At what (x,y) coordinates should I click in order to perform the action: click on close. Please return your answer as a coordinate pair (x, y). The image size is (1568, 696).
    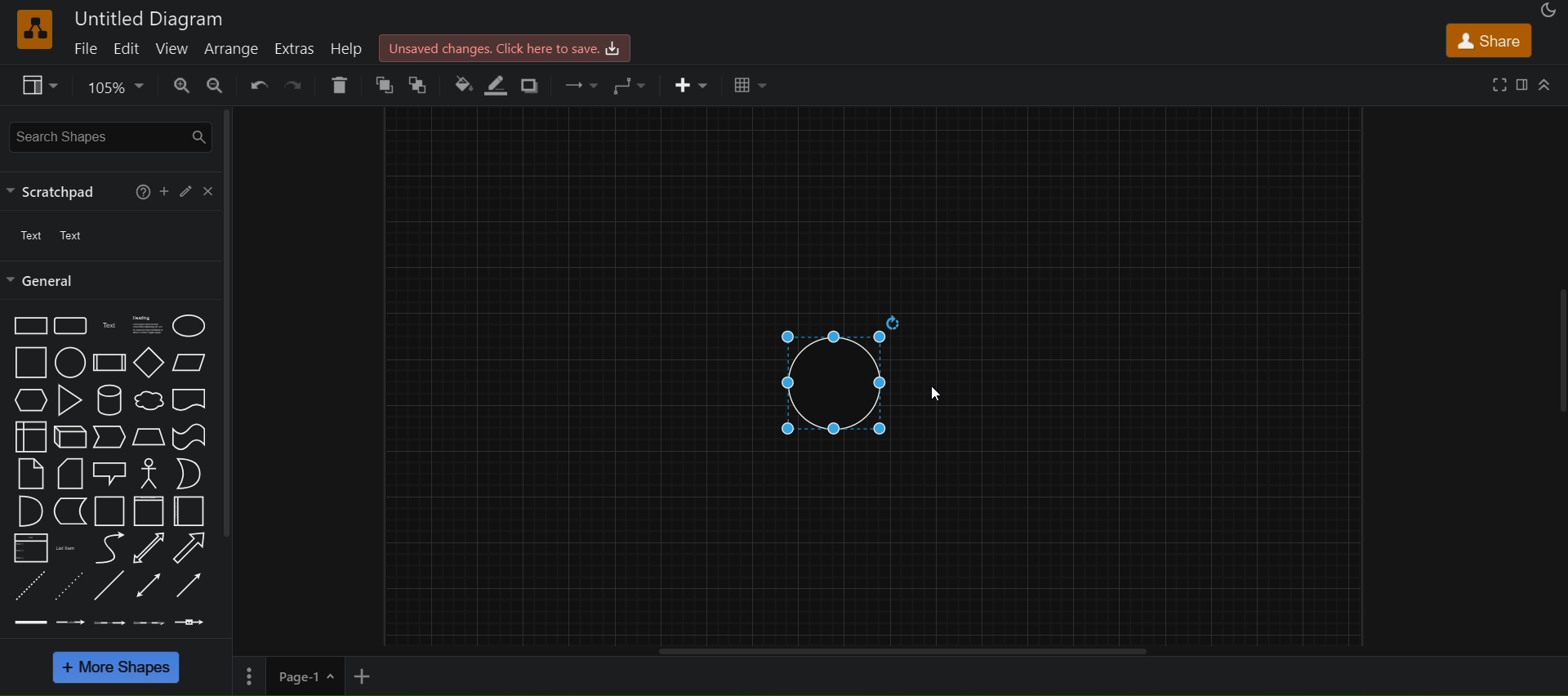
    Looking at the image, I should click on (206, 191).